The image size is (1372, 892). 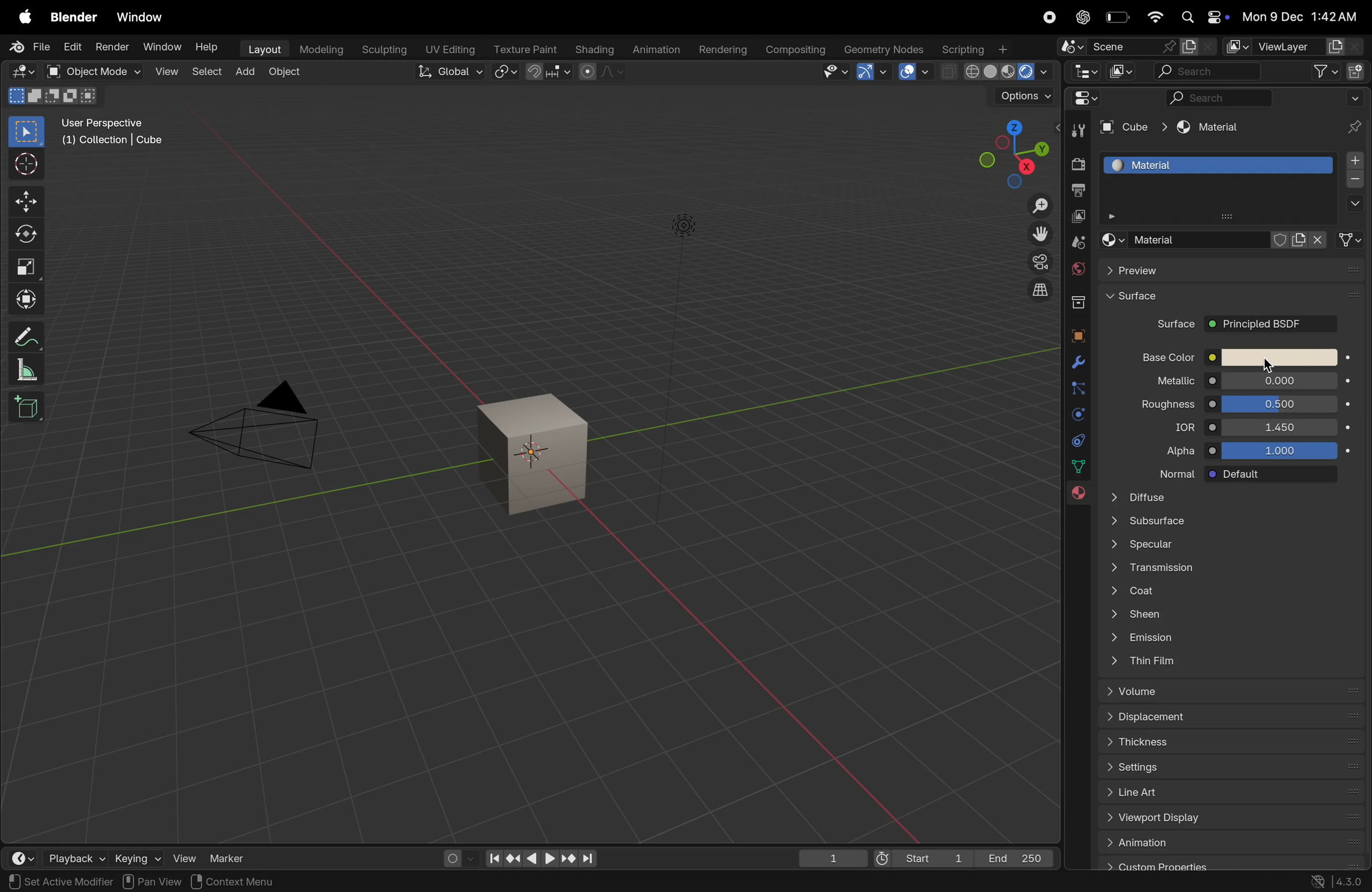 What do you see at coordinates (1231, 662) in the screenshot?
I see `this fan` at bounding box center [1231, 662].